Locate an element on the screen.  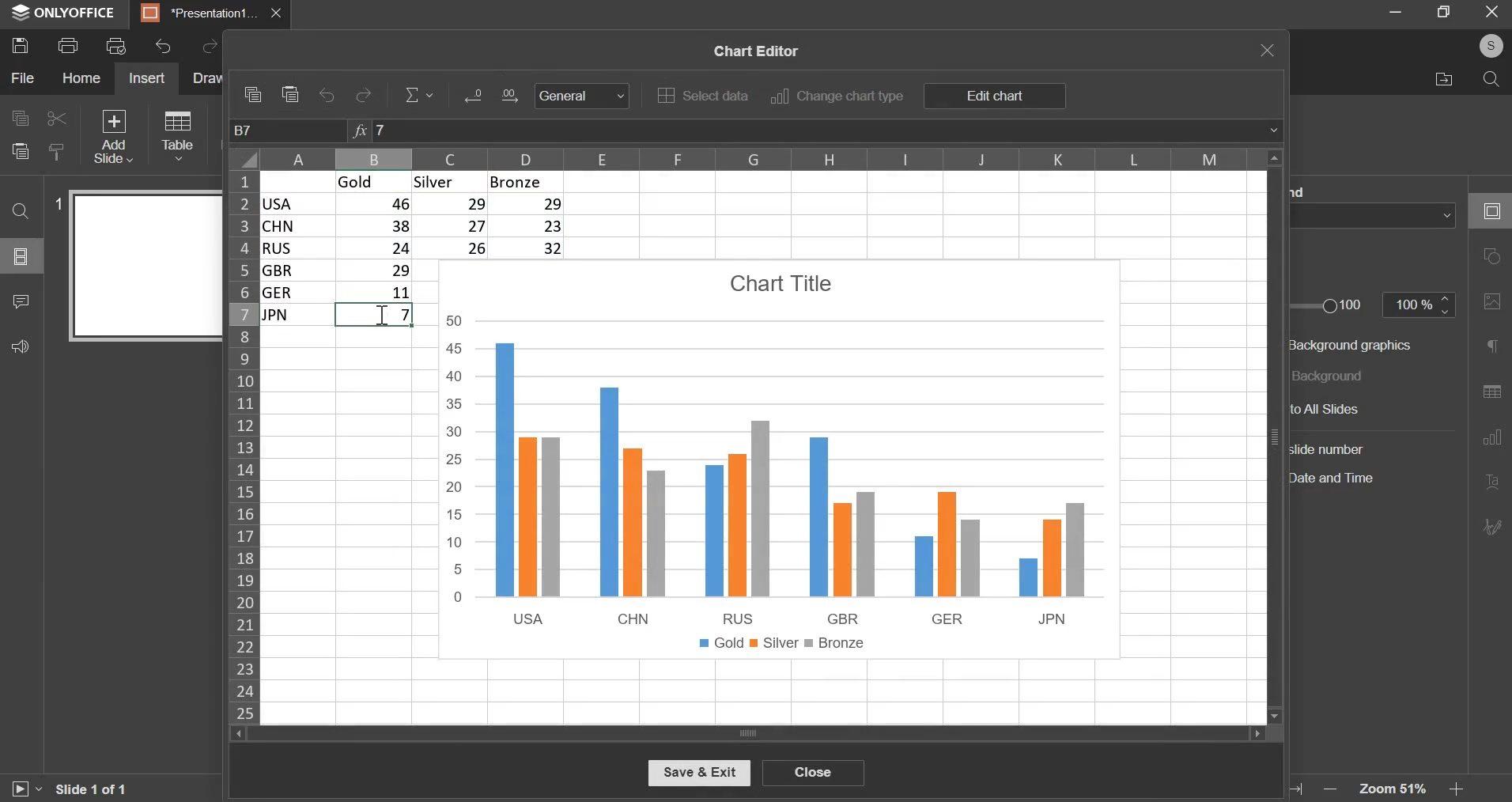
slide number is located at coordinates (55, 201).